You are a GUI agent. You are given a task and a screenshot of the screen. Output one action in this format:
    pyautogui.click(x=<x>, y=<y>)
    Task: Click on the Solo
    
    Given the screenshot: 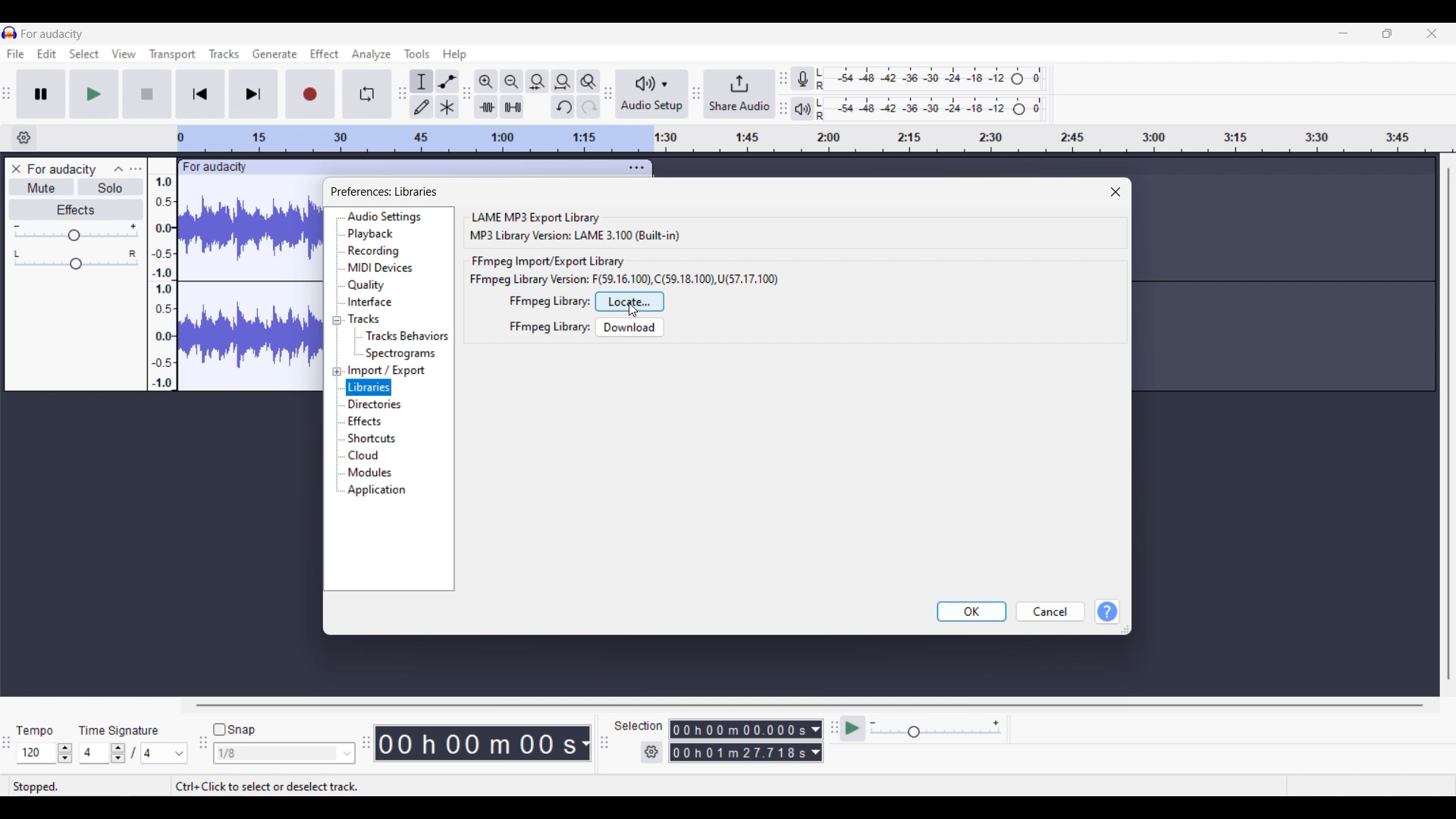 What is the action you would take?
    pyautogui.click(x=111, y=187)
    